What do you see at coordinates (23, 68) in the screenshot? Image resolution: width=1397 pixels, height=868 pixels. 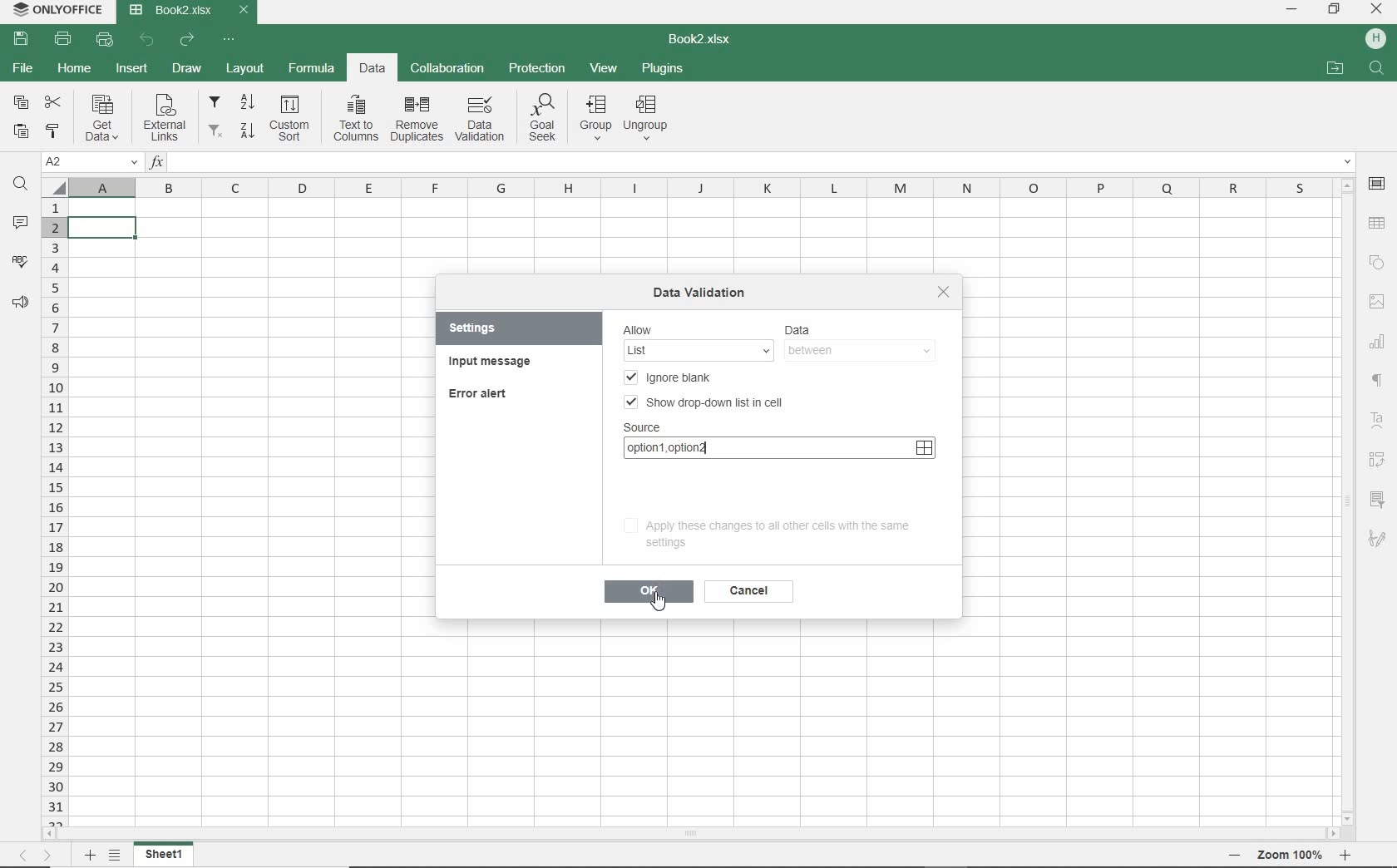 I see `FILE` at bounding box center [23, 68].